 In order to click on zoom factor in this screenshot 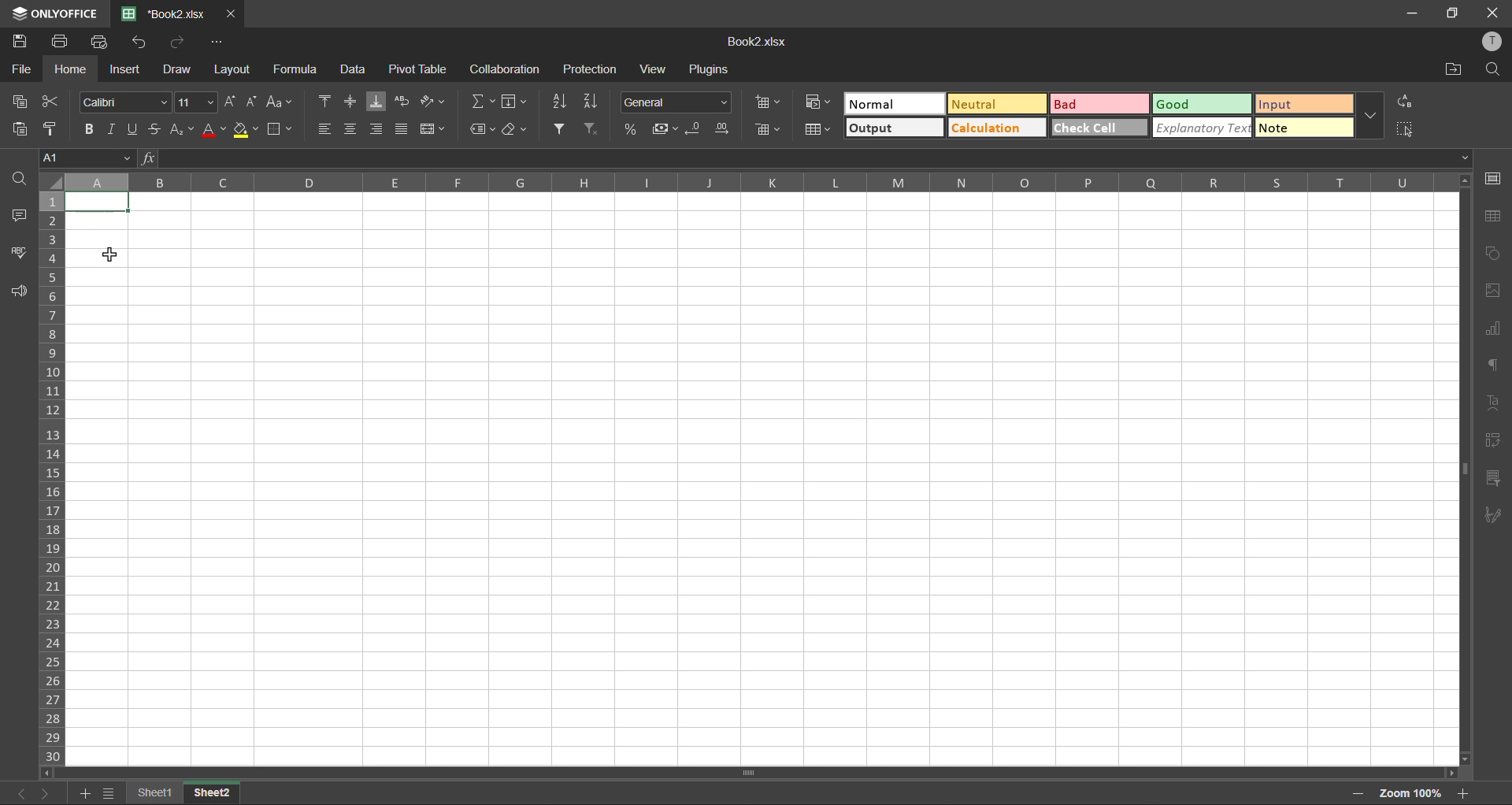, I will do `click(1416, 791)`.